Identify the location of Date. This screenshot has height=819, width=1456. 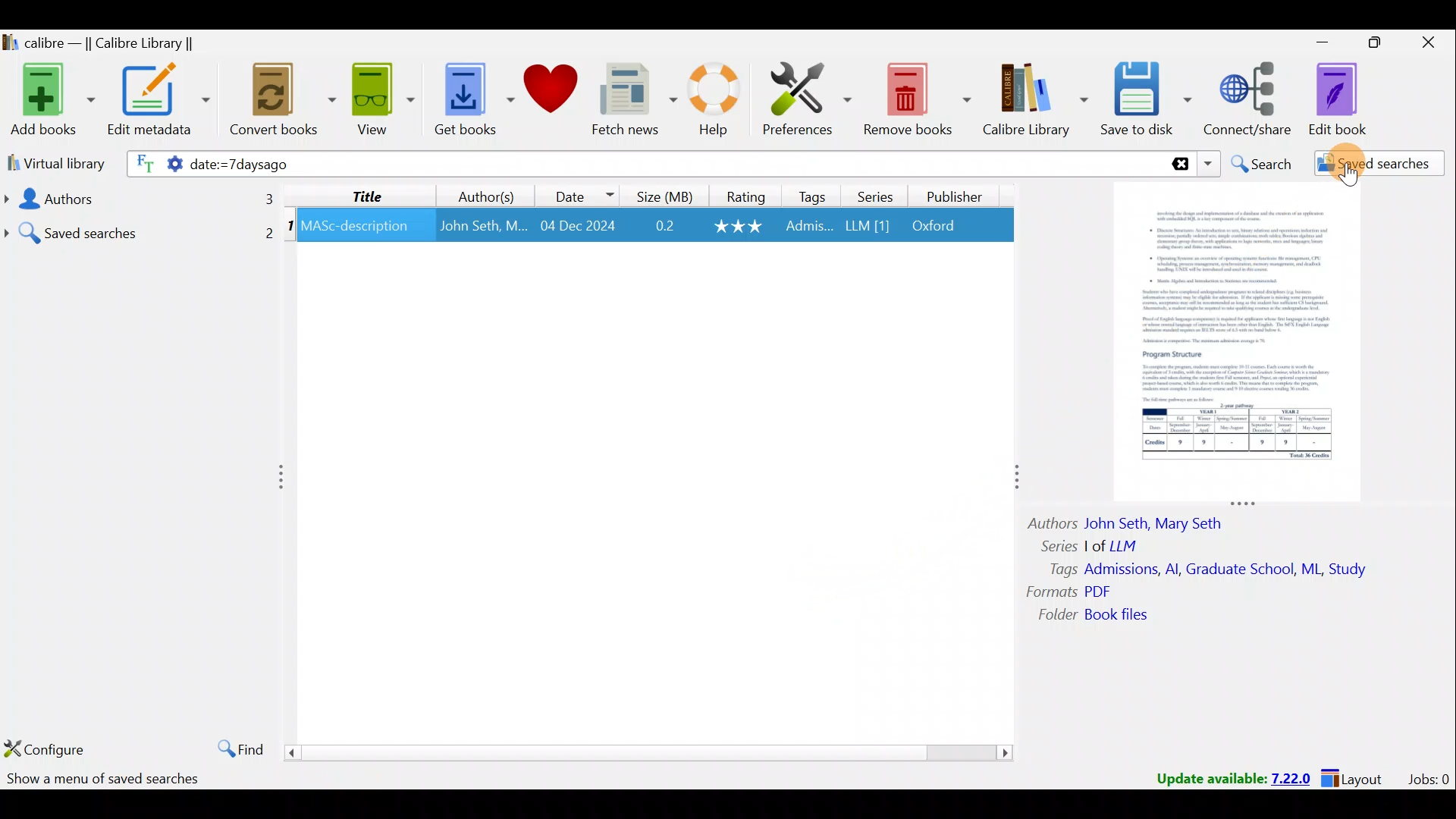
(583, 193).